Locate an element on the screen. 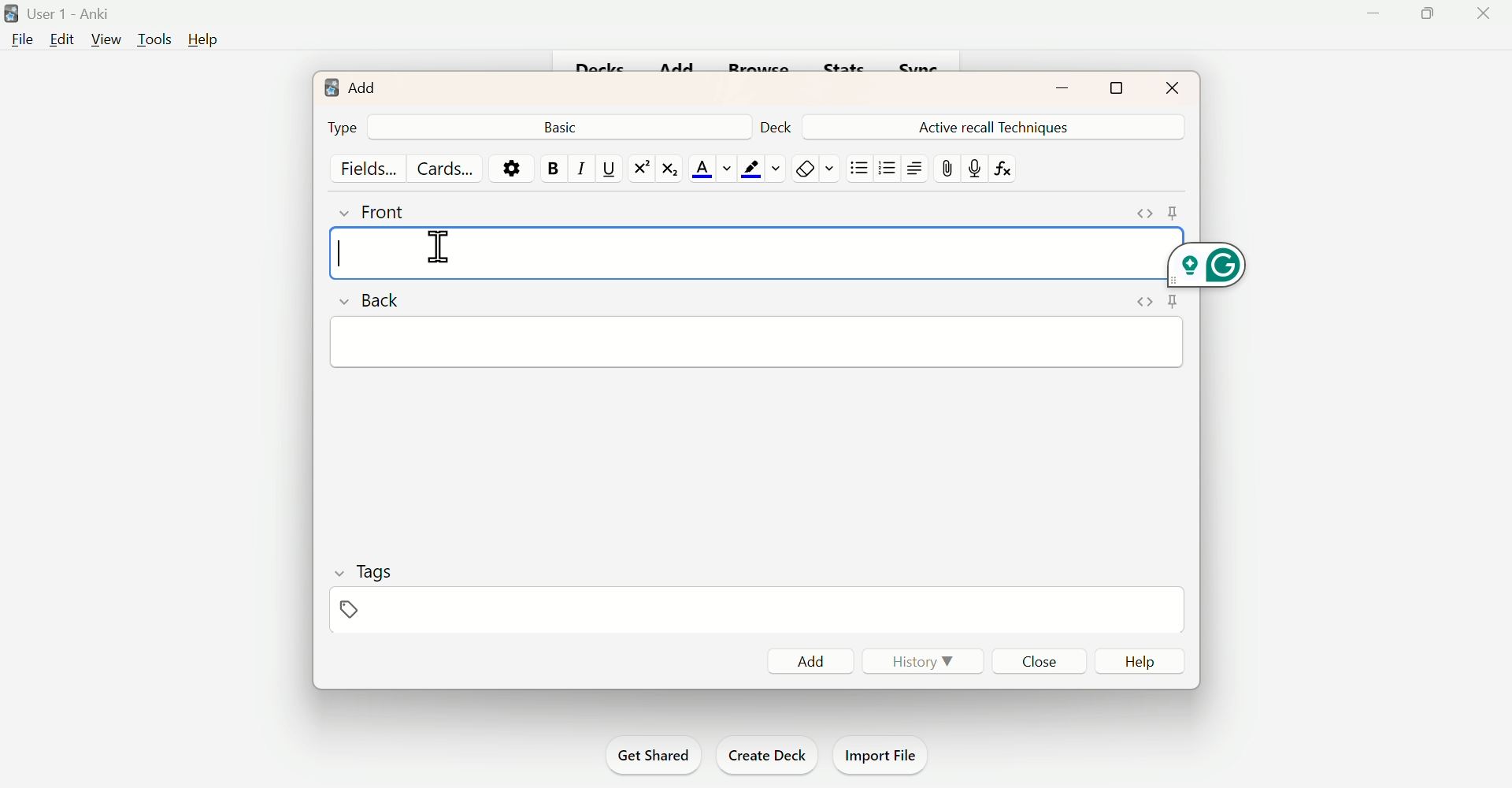  logo is located at coordinates (318, 84).